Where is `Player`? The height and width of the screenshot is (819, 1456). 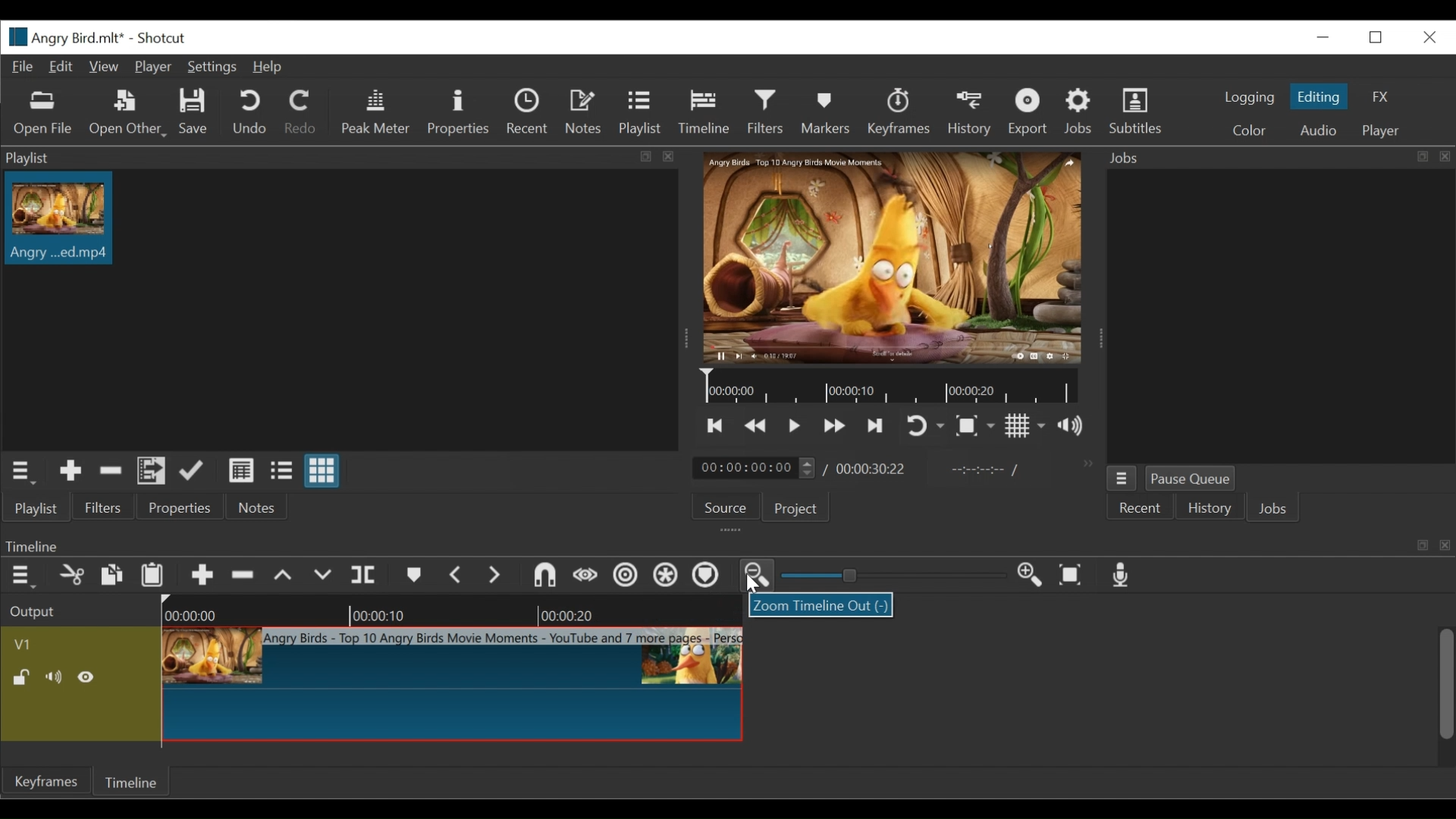
Player is located at coordinates (153, 67).